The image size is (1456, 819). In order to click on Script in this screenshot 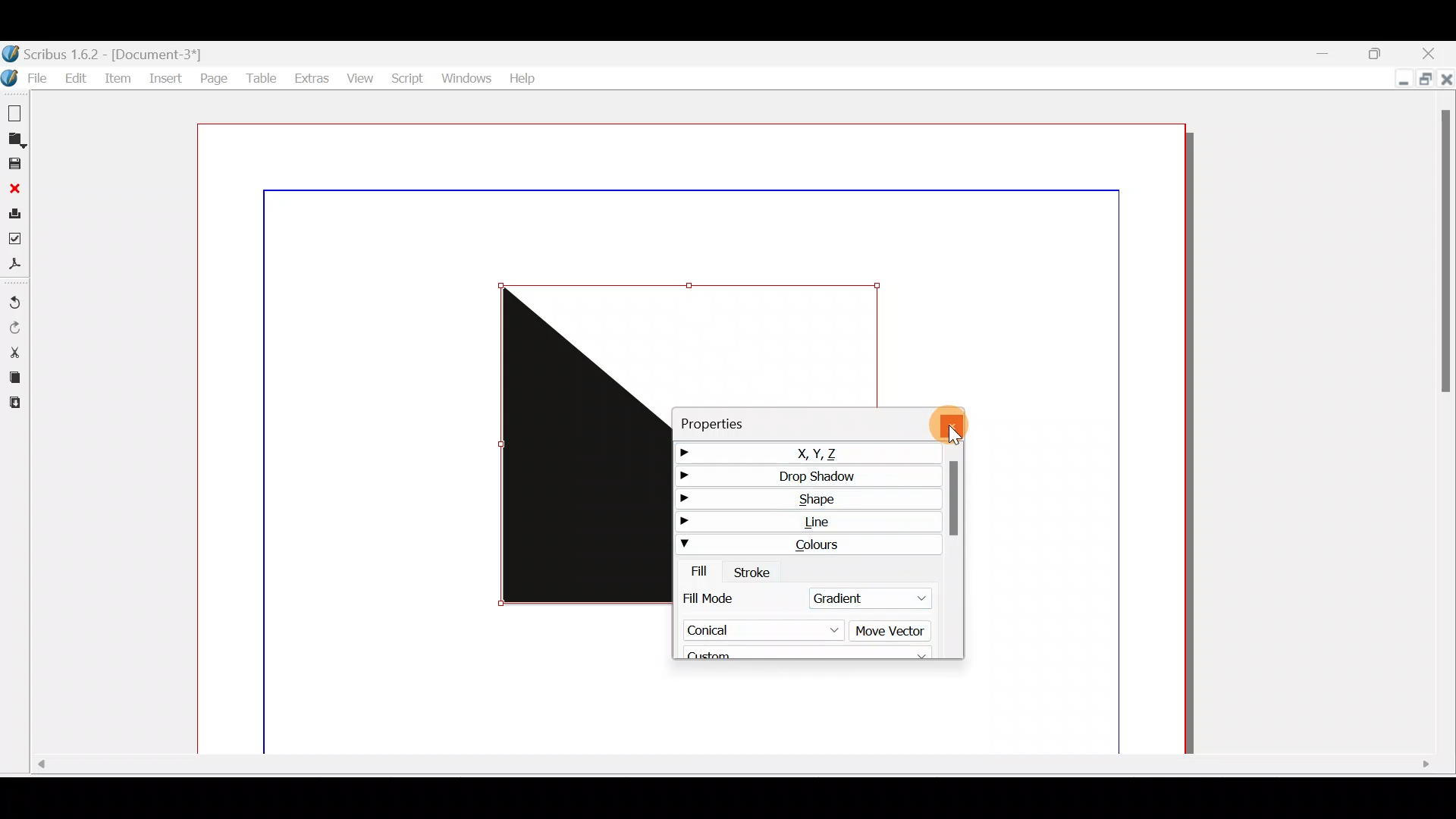, I will do `click(406, 78)`.